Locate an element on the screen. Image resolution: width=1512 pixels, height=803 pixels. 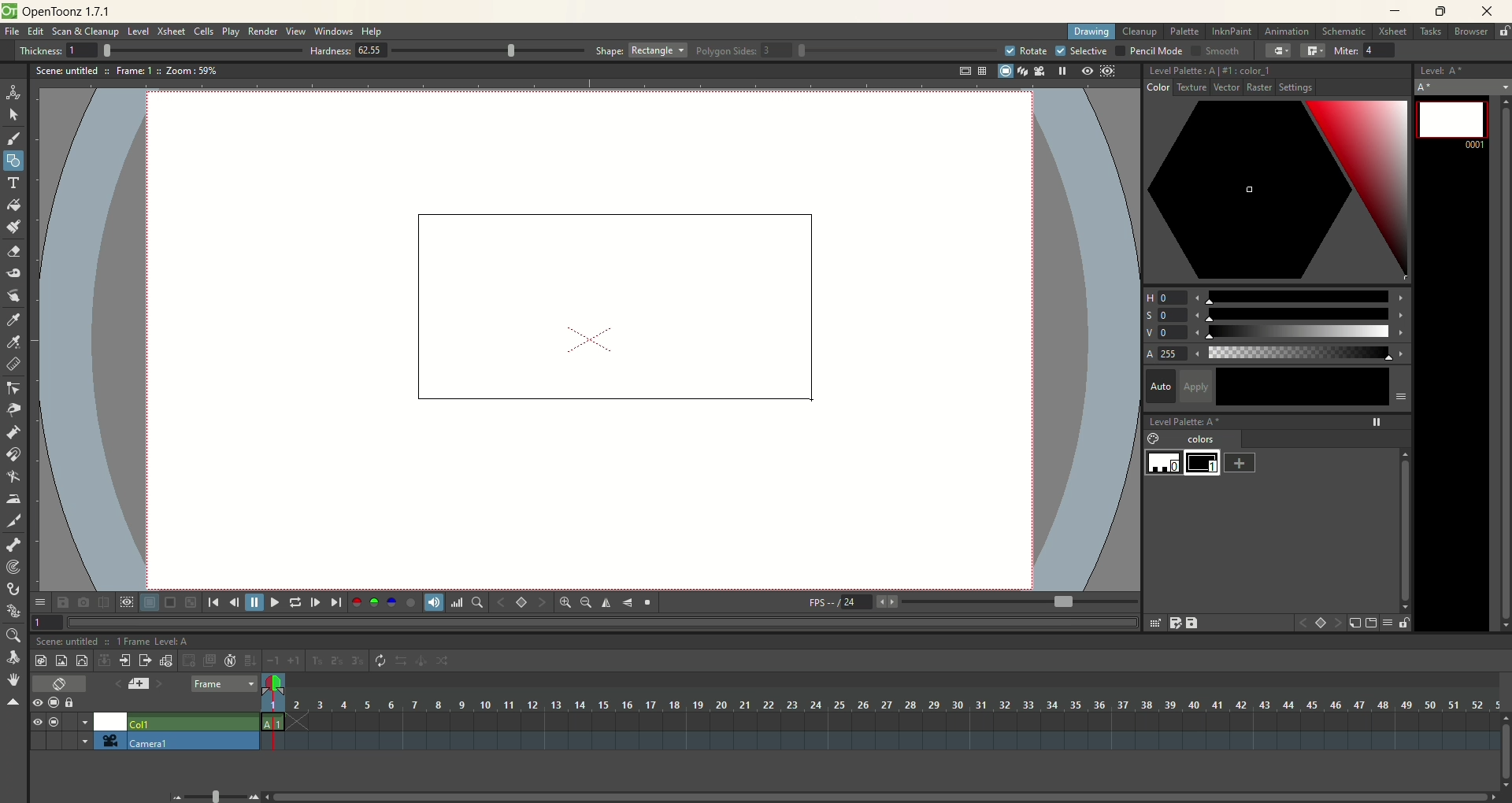
tape tool is located at coordinates (13, 273).